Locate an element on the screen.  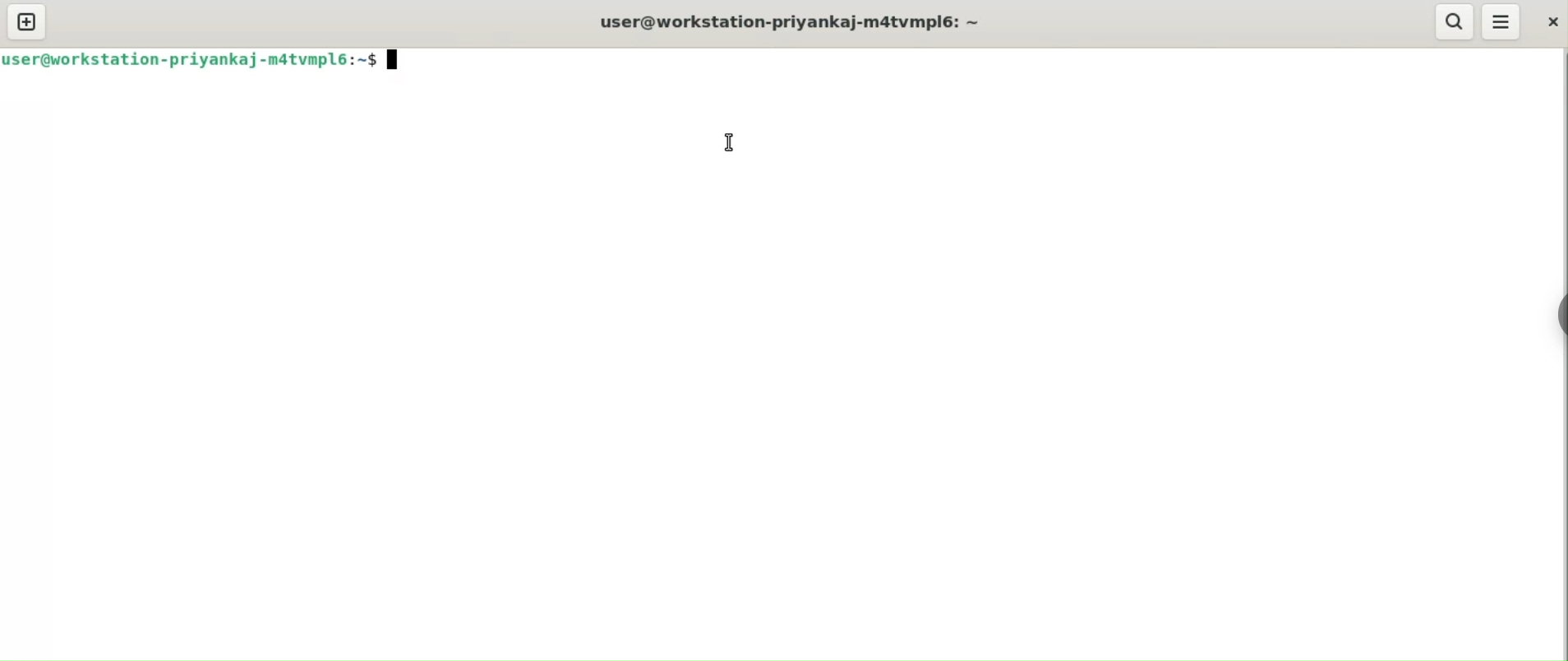
terminal cursor is located at coordinates (393, 59).